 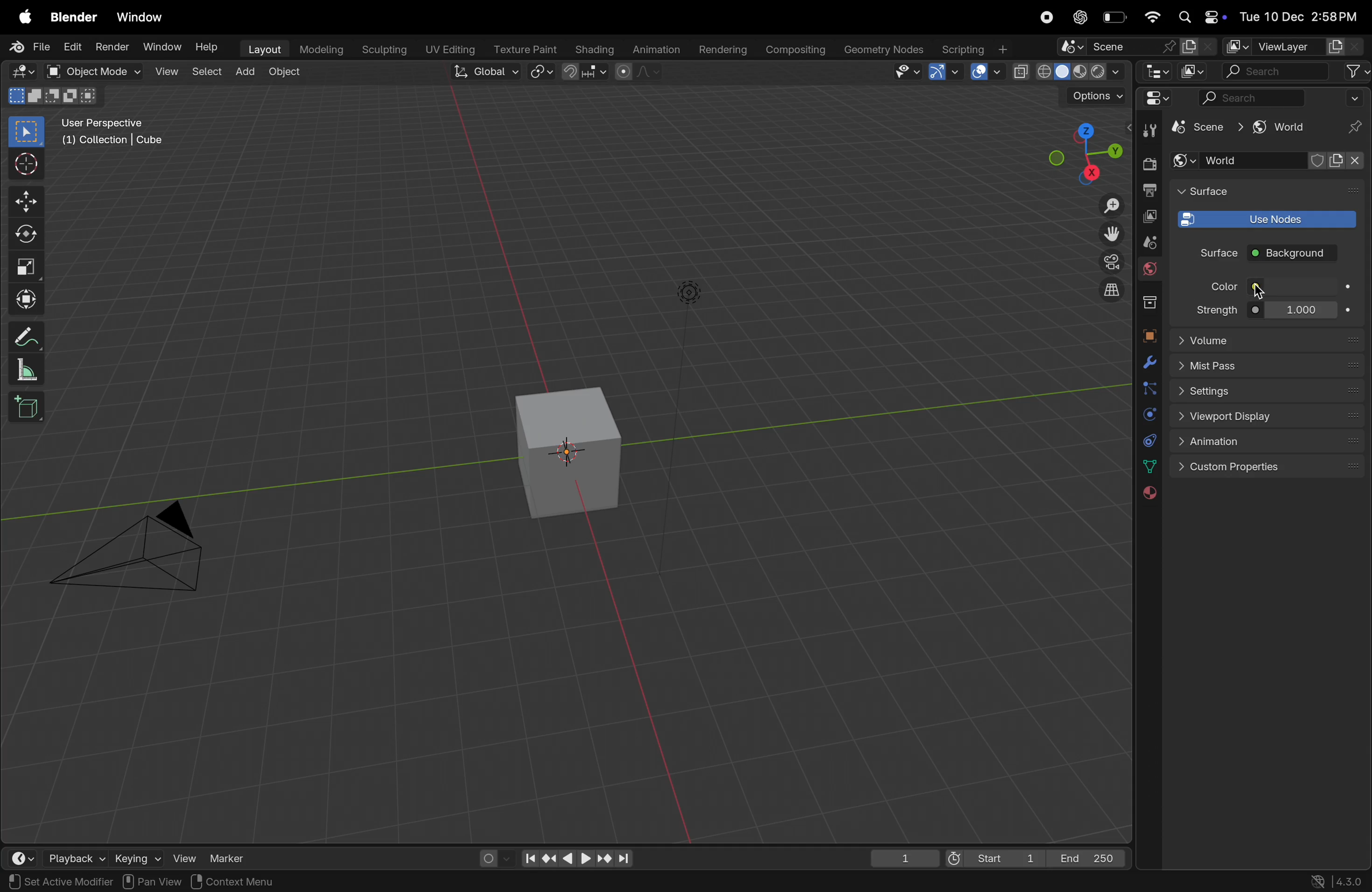 What do you see at coordinates (27, 369) in the screenshot?
I see `measure` at bounding box center [27, 369].